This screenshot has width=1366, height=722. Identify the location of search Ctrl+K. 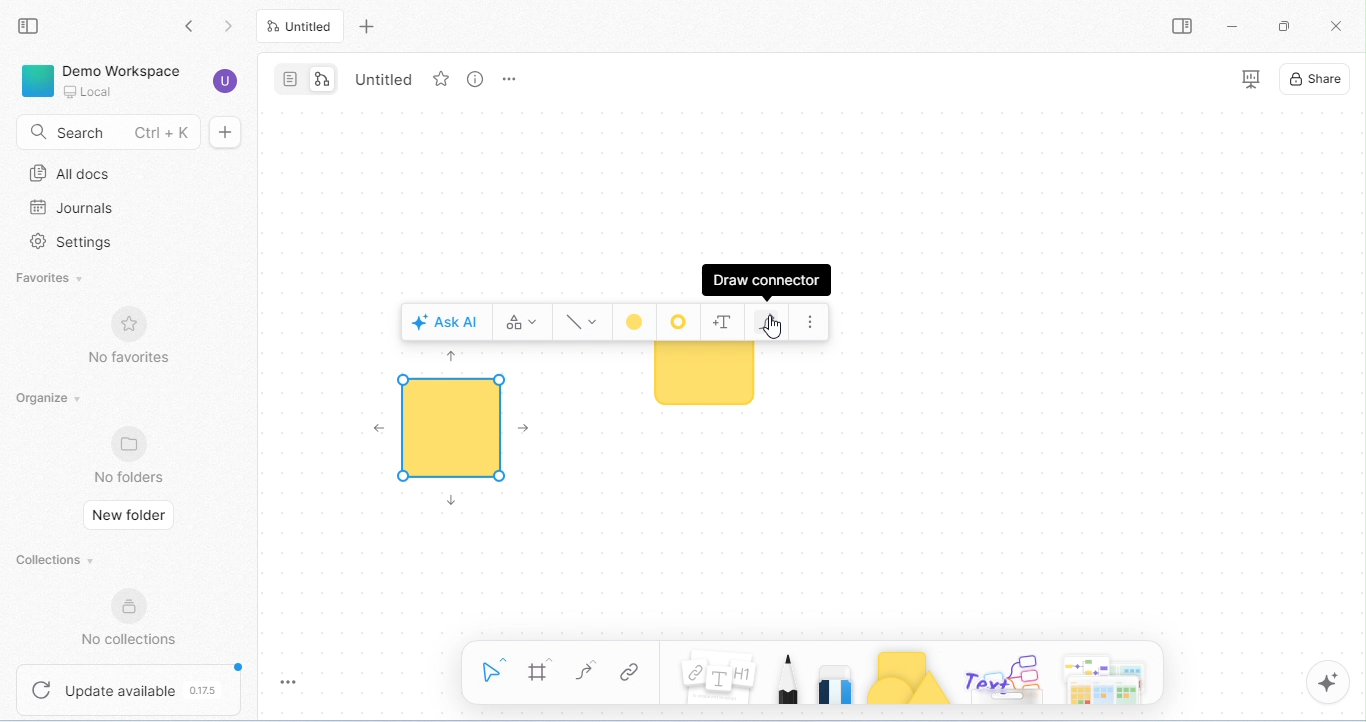
(105, 130).